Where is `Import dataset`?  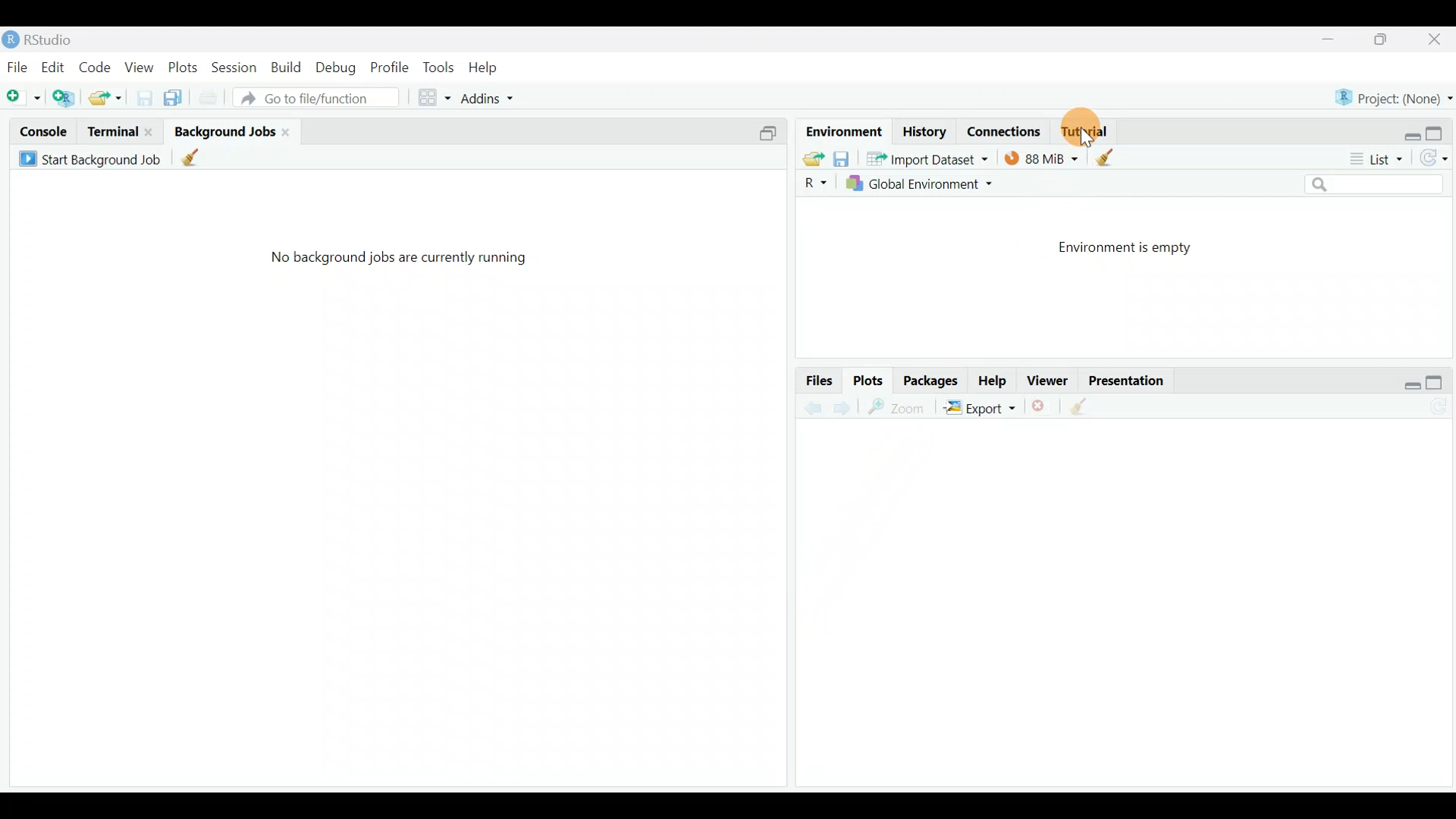 Import dataset is located at coordinates (929, 160).